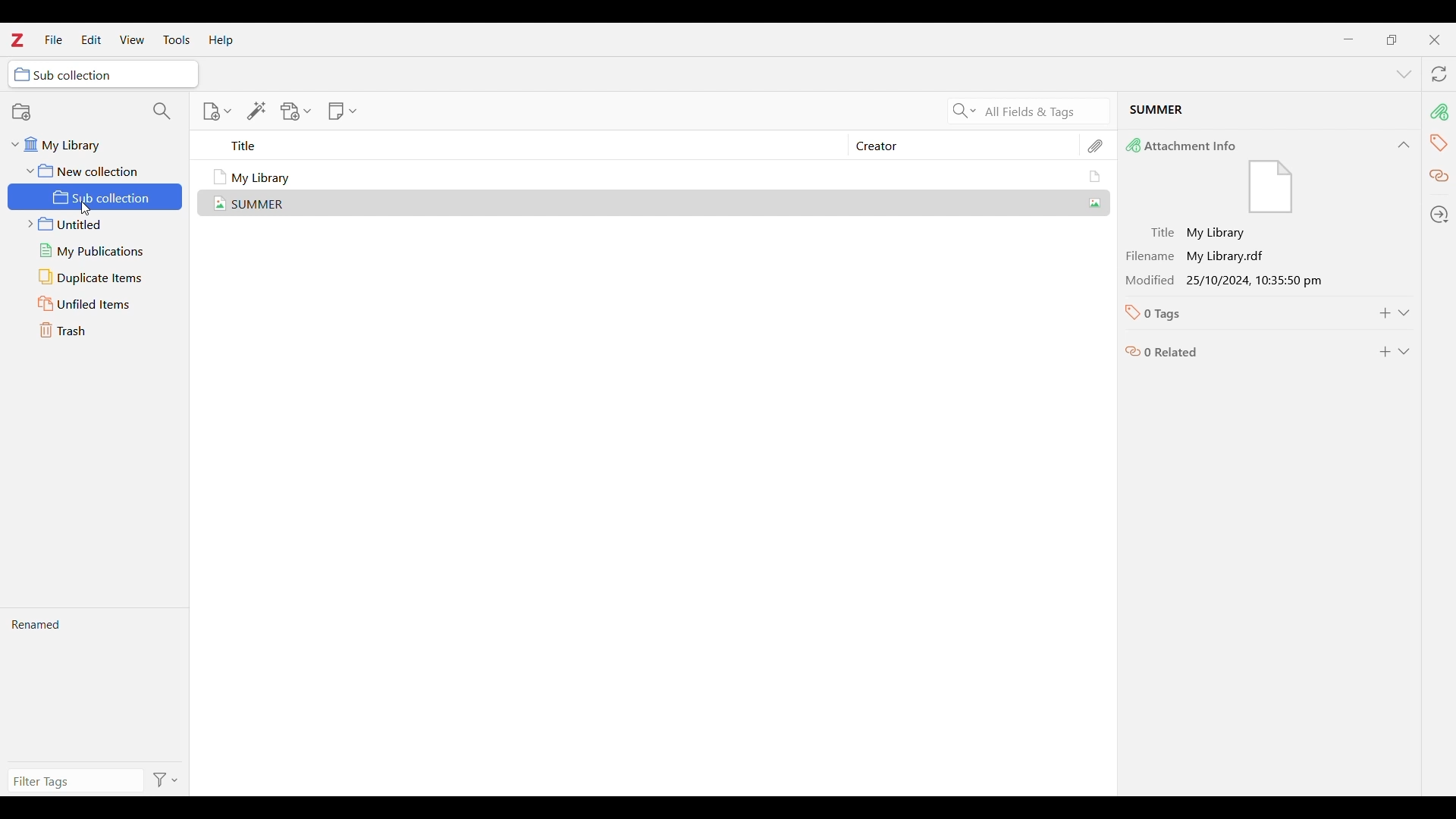  Describe the element at coordinates (297, 111) in the screenshot. I see `Add attachment ` at that location.